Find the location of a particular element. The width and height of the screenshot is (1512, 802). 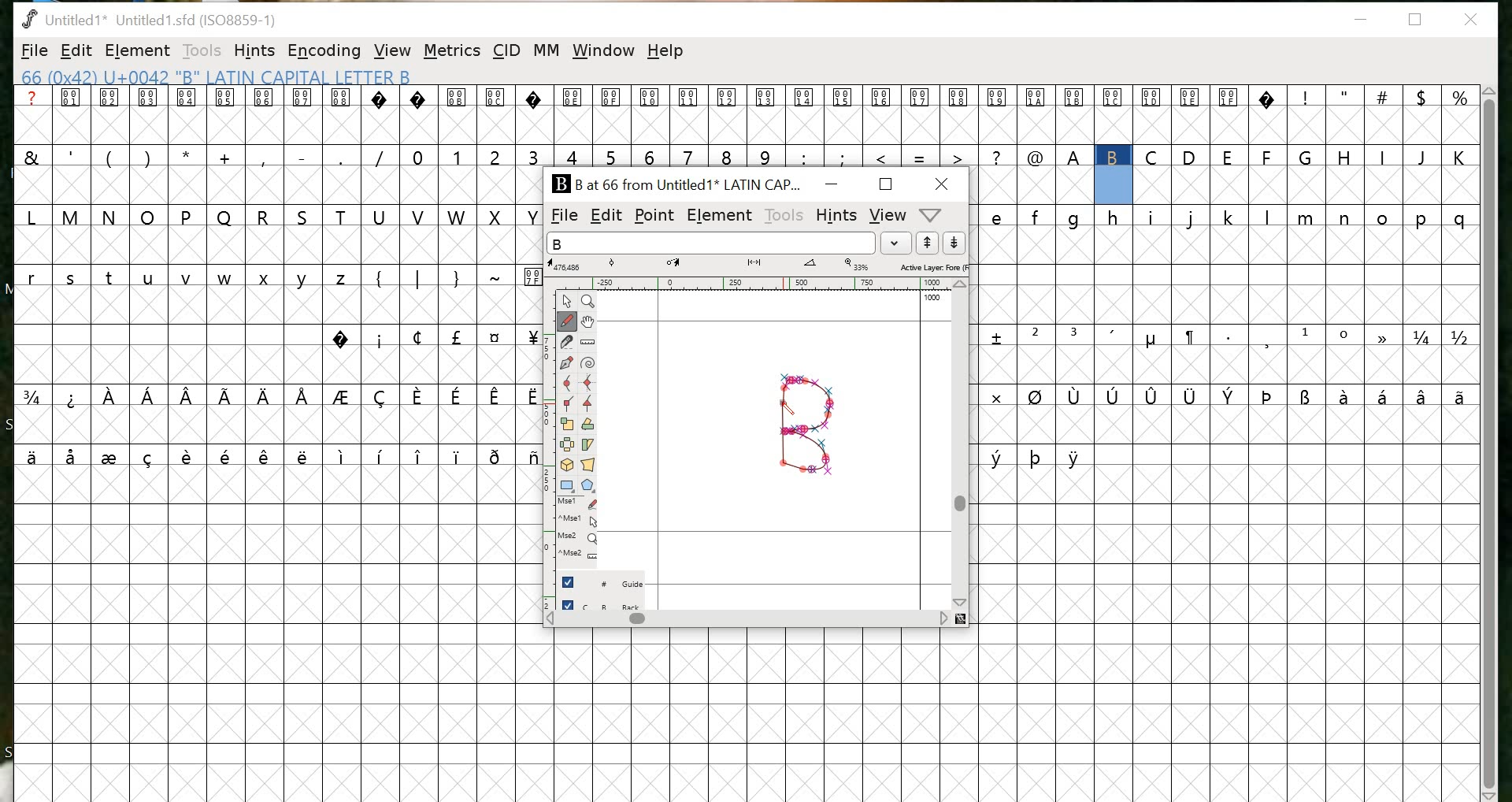

up is located at coordinates (928, 243).